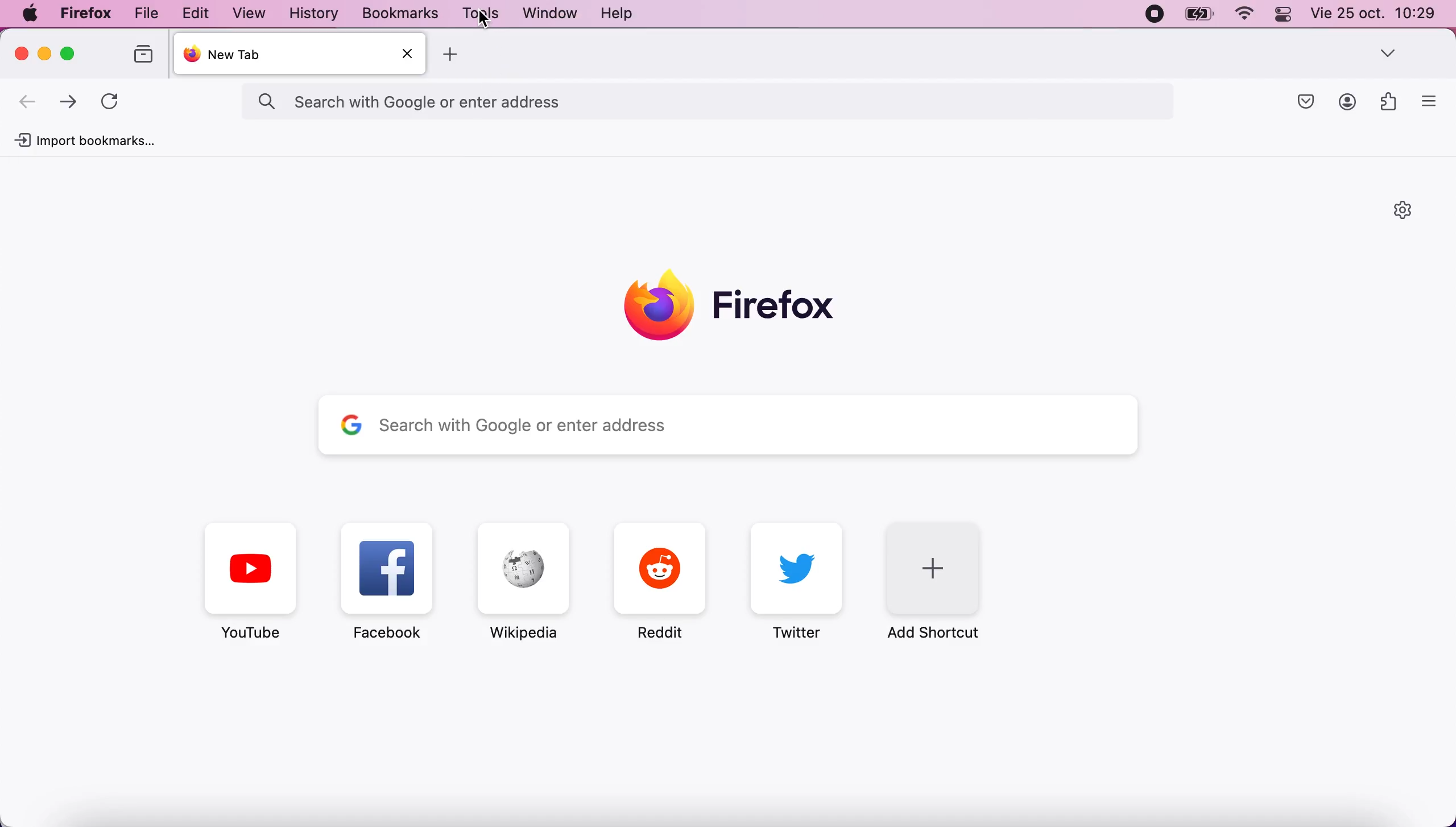 The height and width of the screenshot is (827, 1456). Describe the element at coordinates (408, 53) in the screenshot. I see `Close` at that location.